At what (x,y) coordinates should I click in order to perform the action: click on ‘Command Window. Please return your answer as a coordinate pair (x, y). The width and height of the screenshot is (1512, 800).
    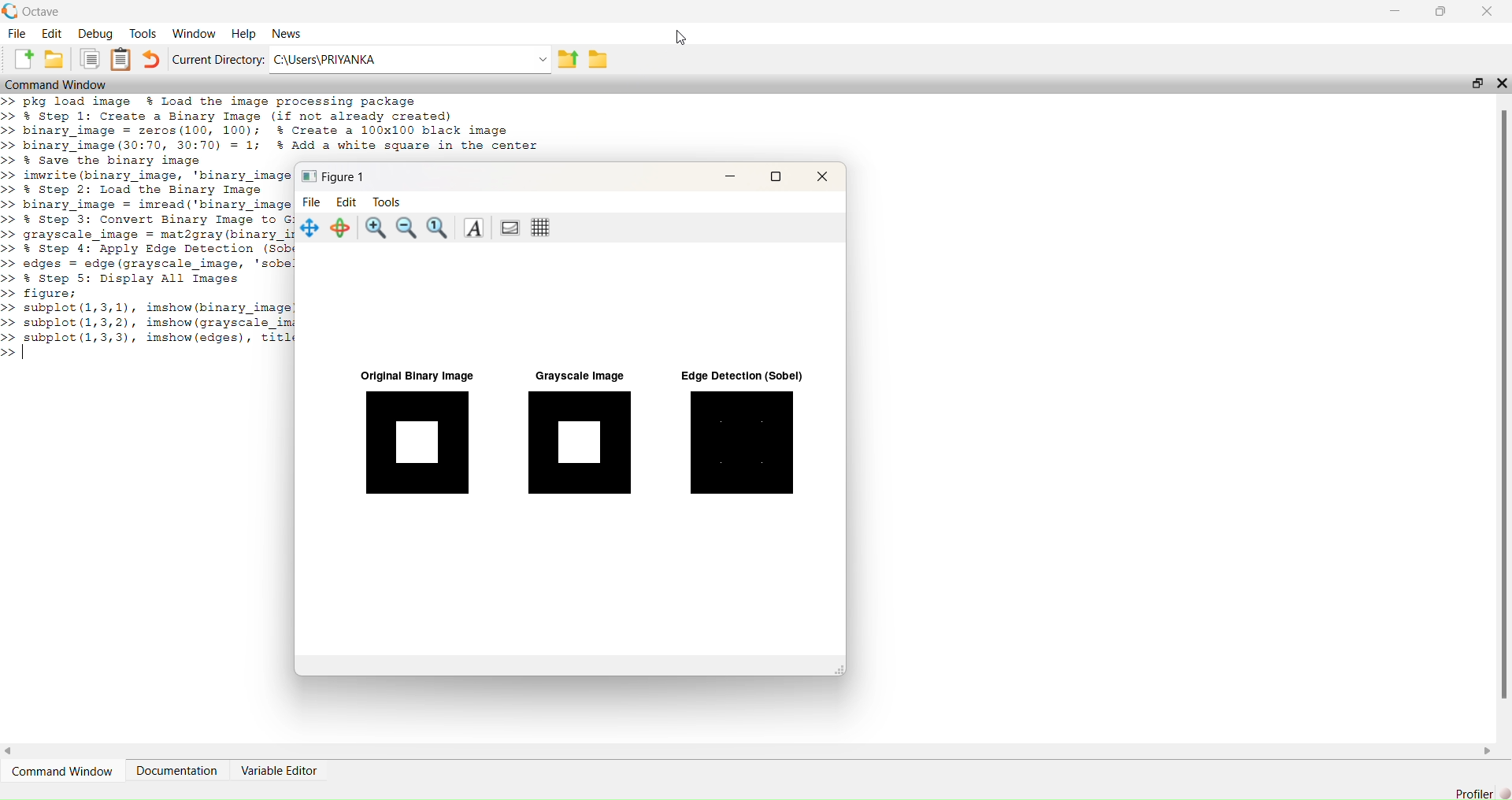
    Looking at the image, I should click on (63, 770).